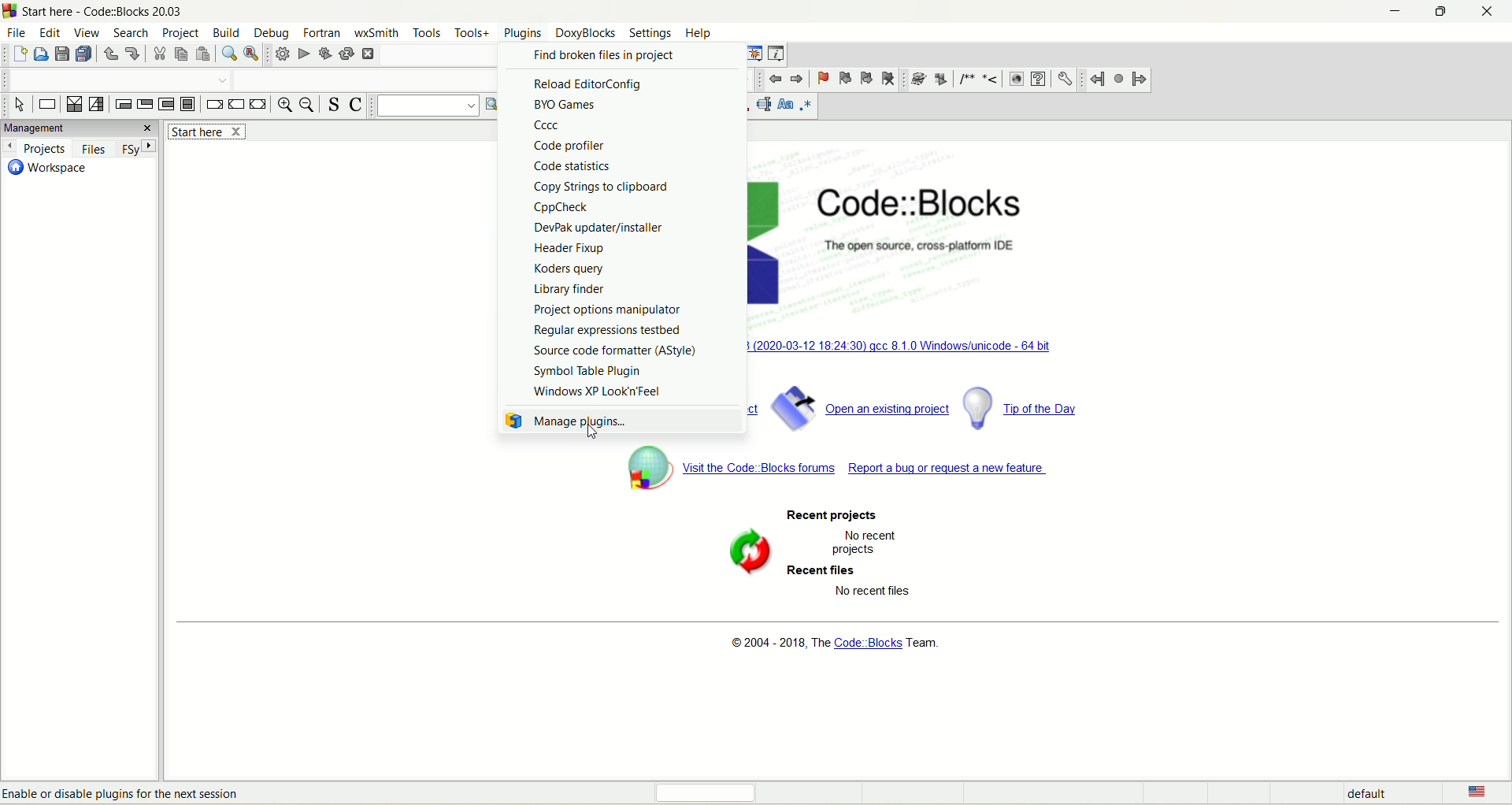 The image size is (1512, 805). I want to click on save, so click(60, 54).